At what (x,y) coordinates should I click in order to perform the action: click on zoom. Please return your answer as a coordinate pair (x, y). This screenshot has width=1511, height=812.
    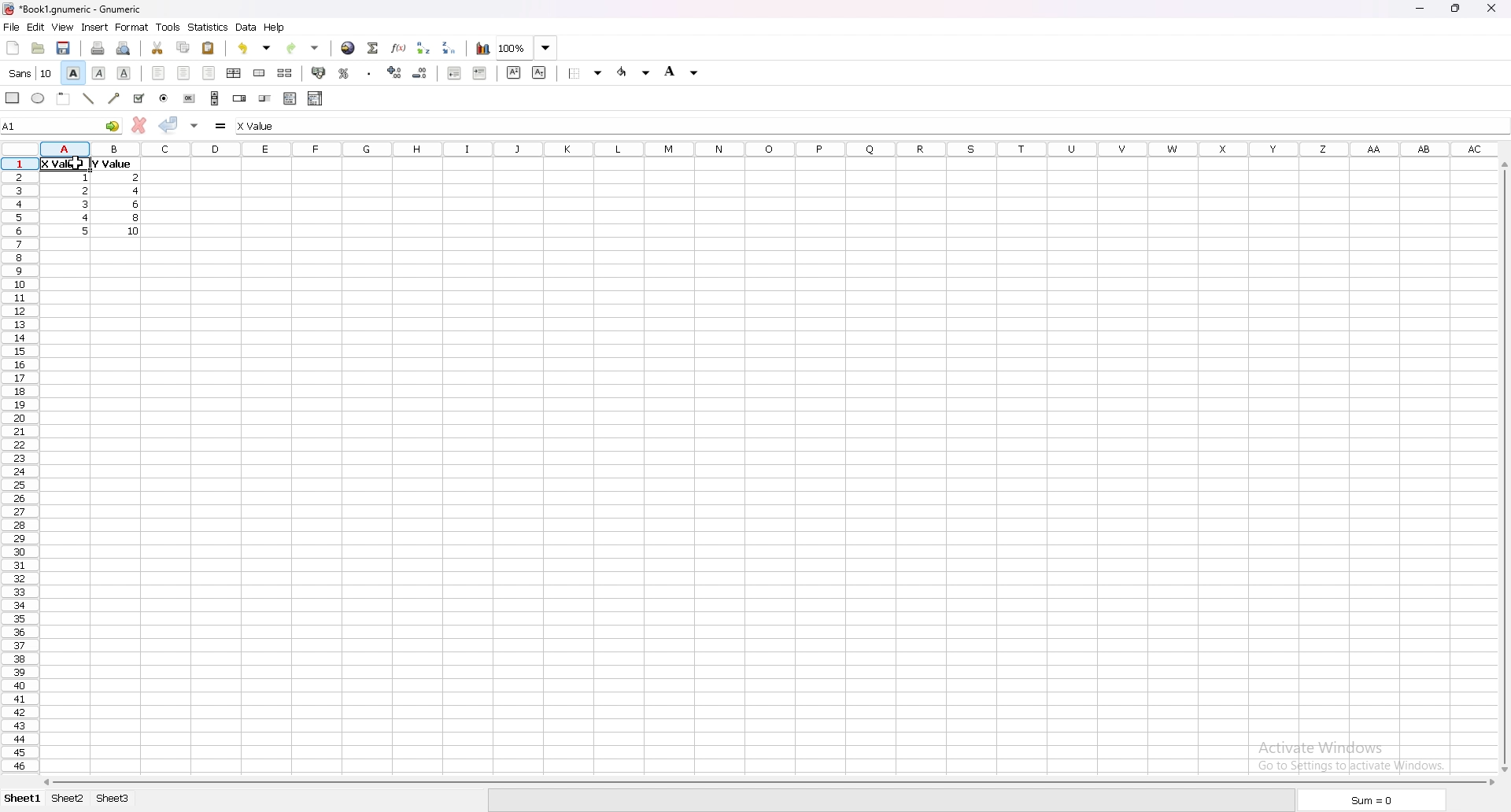
    Looking at the image, I should click on (526, 47).